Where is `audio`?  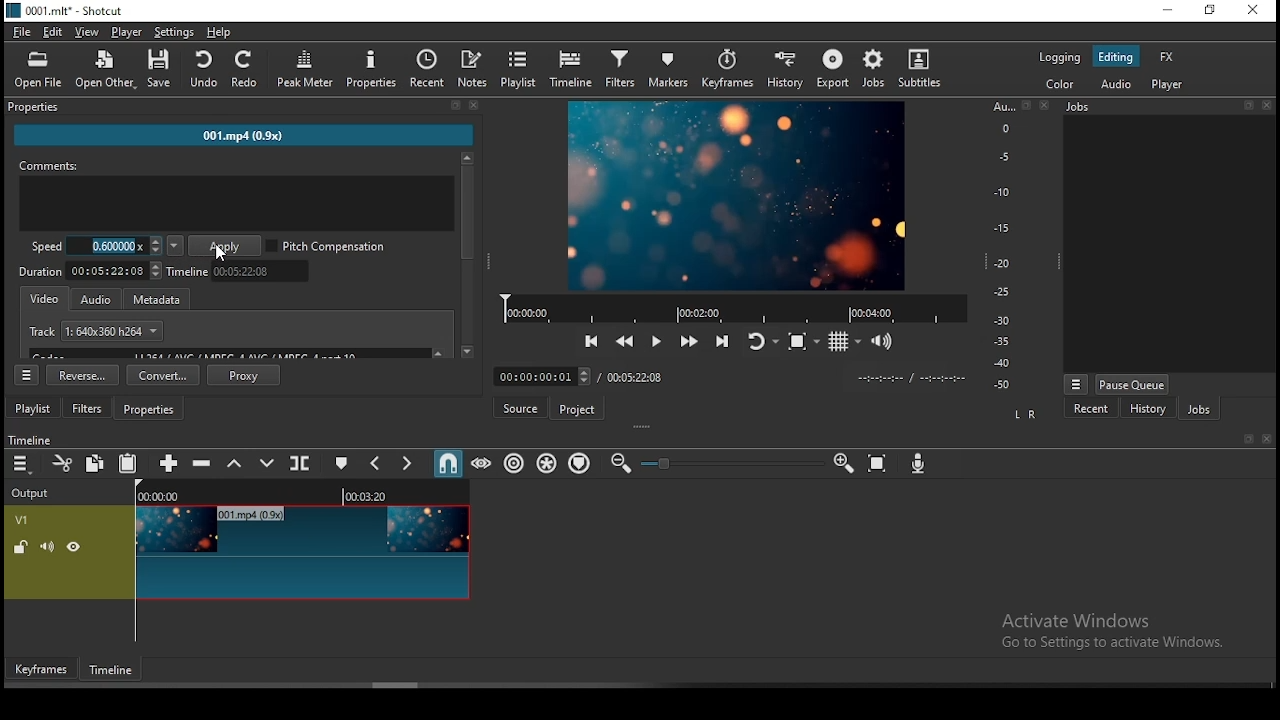
audio is located at coordinates (1113, 86).